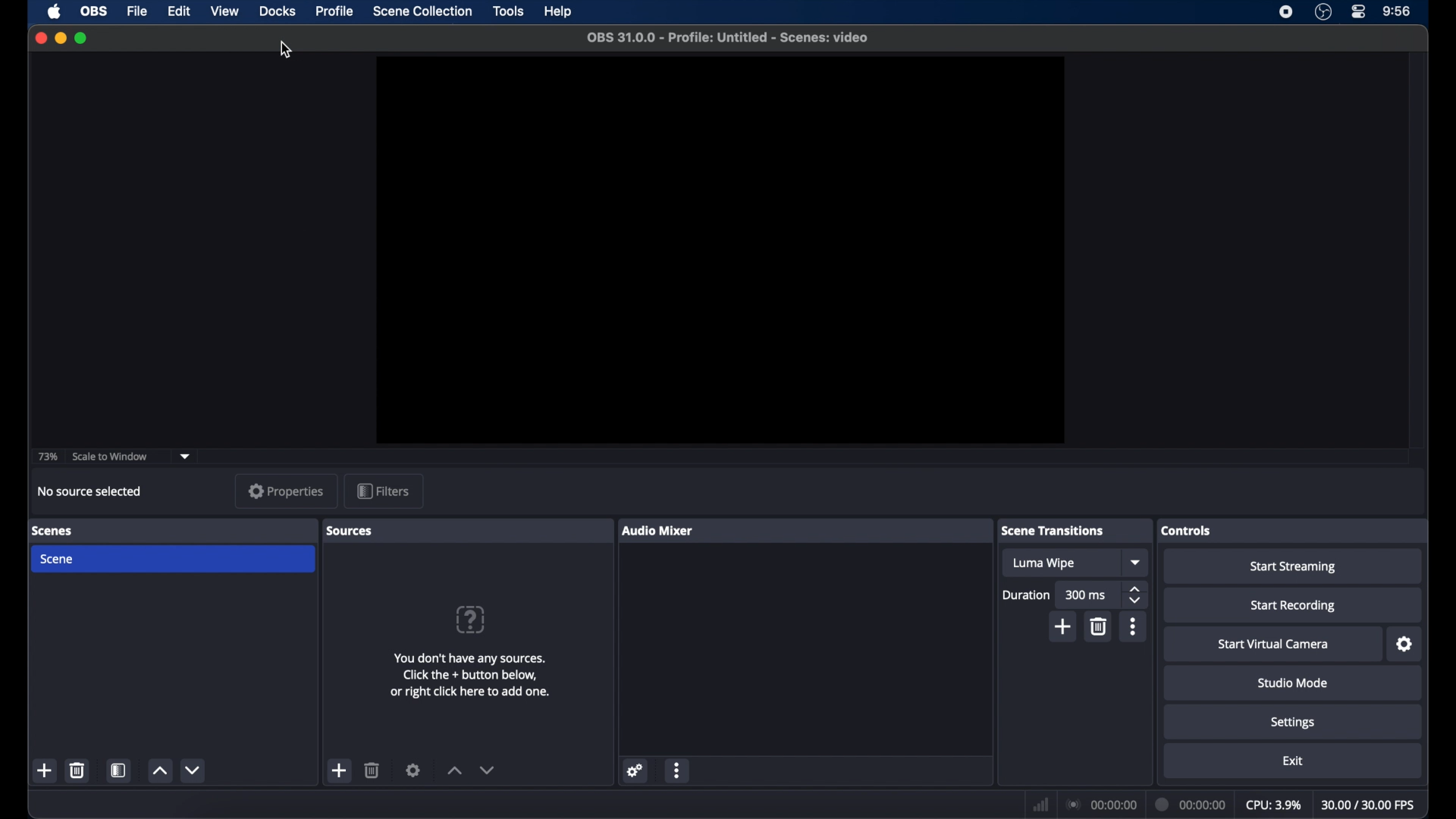 Image resolution: width=1456 pixels, height=819 pixels. Describe the element at coordinates (54, 11) in the screenshot. I see `apple icon` at that location.